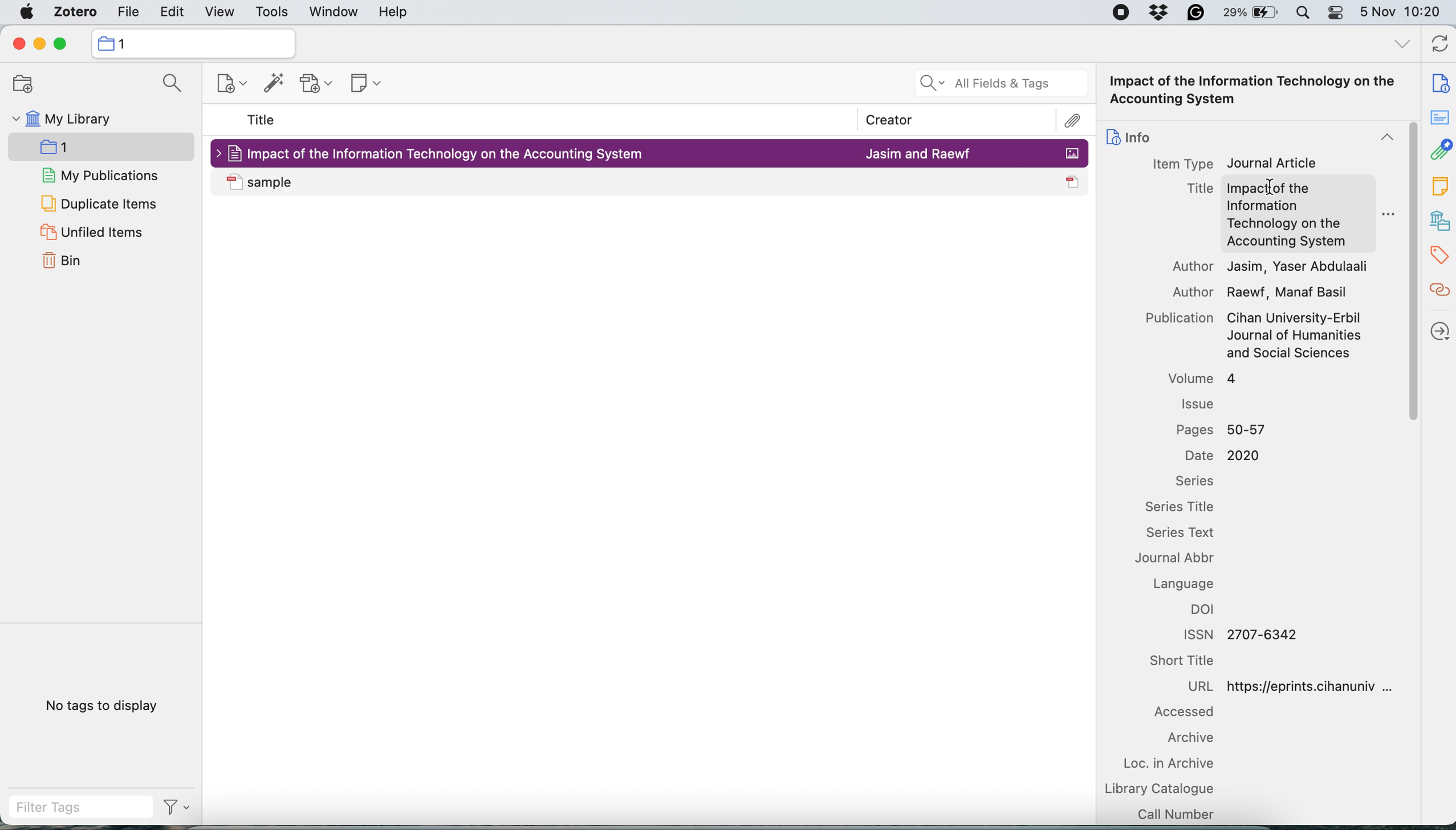  I want to click on add items by identifier, so click(273, 84).